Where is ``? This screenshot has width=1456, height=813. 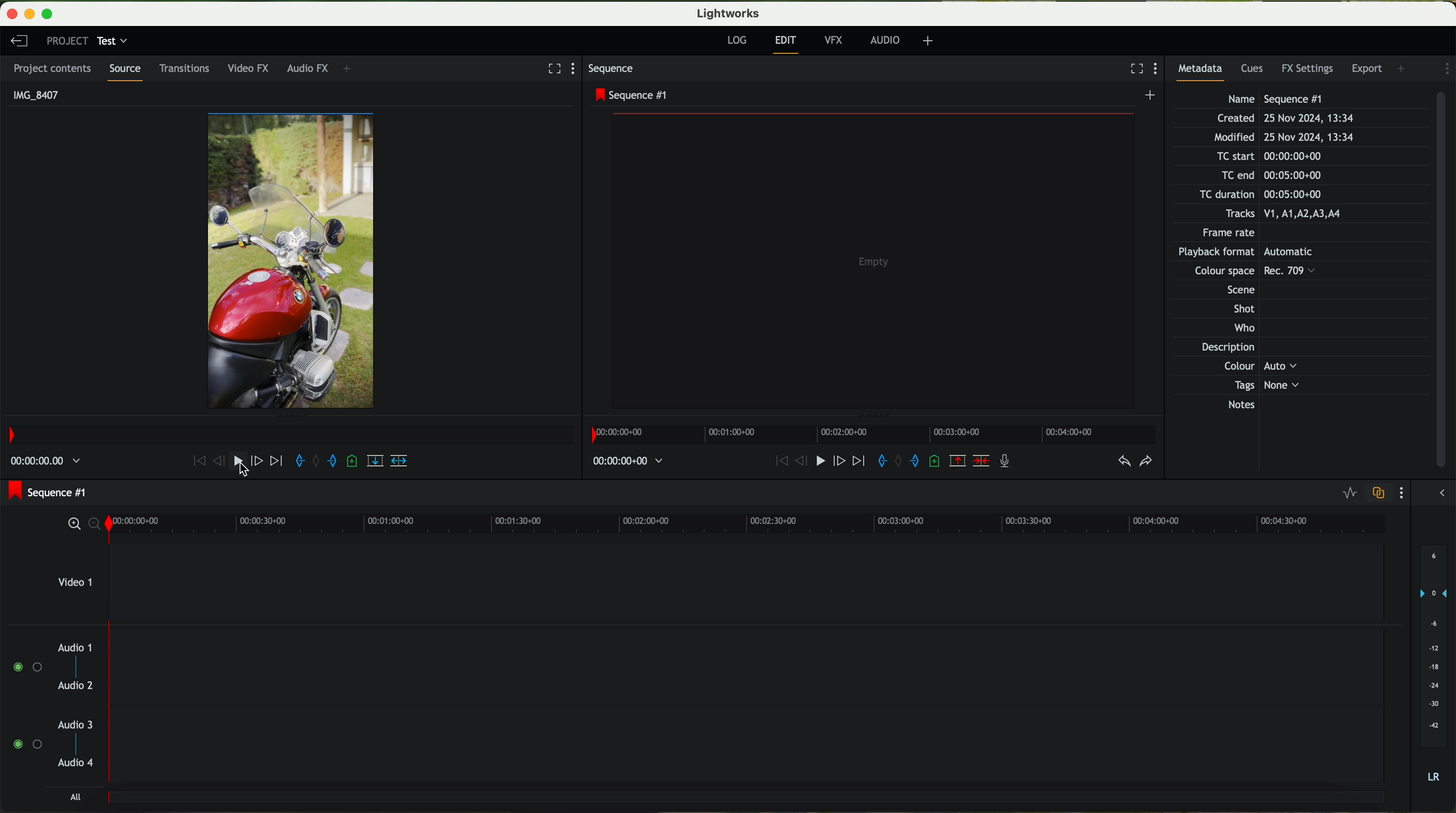
 is located at coordinates (1242, 273).